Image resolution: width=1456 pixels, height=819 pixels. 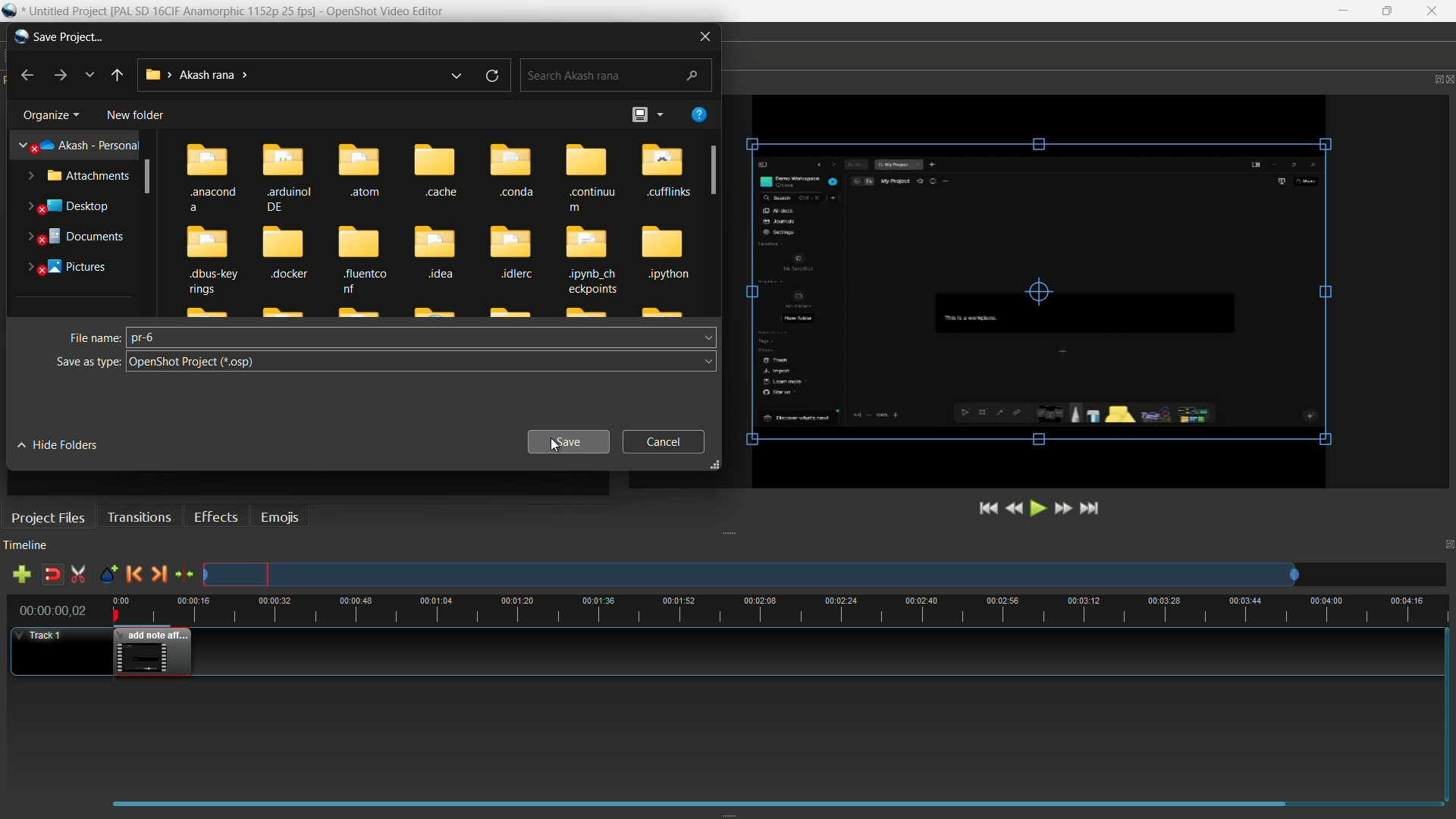 What do you see at coordinates (19, 35) in the screenshot?
I see `app icon` at bounding box center [19, 35].